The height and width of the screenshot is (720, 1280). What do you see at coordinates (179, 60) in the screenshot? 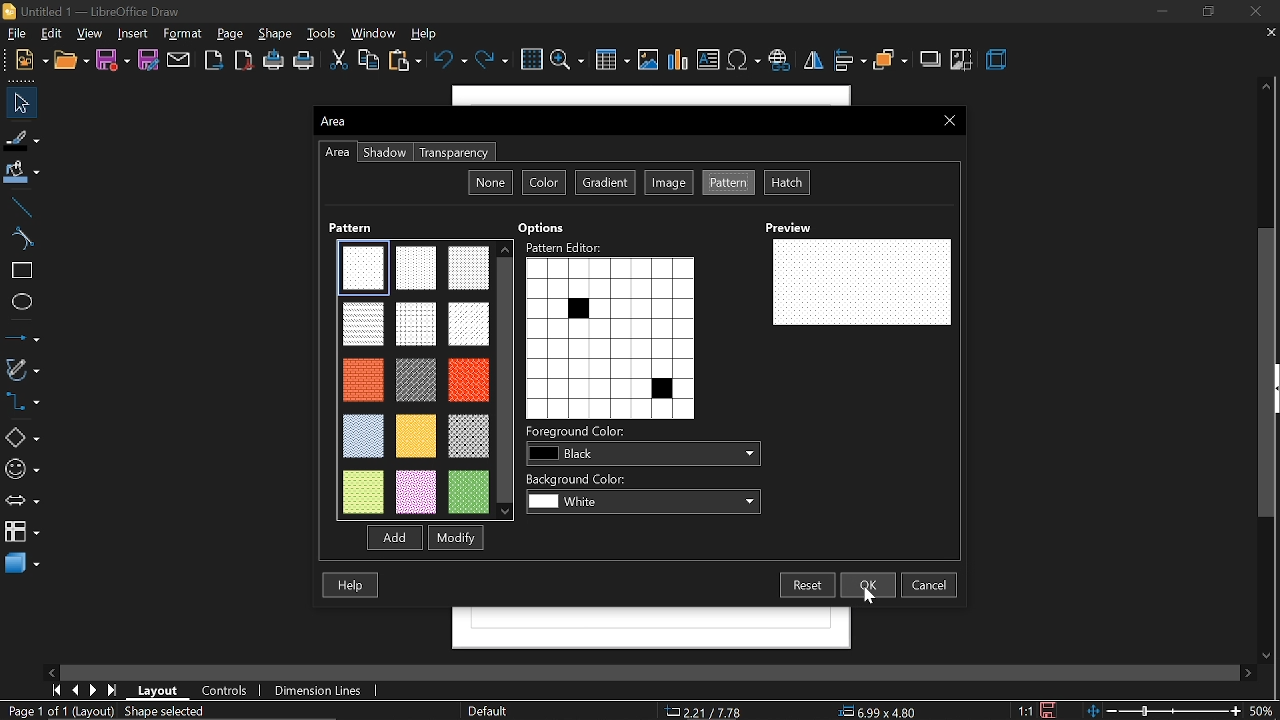
I see `attach` at bounding box center [179, 60].